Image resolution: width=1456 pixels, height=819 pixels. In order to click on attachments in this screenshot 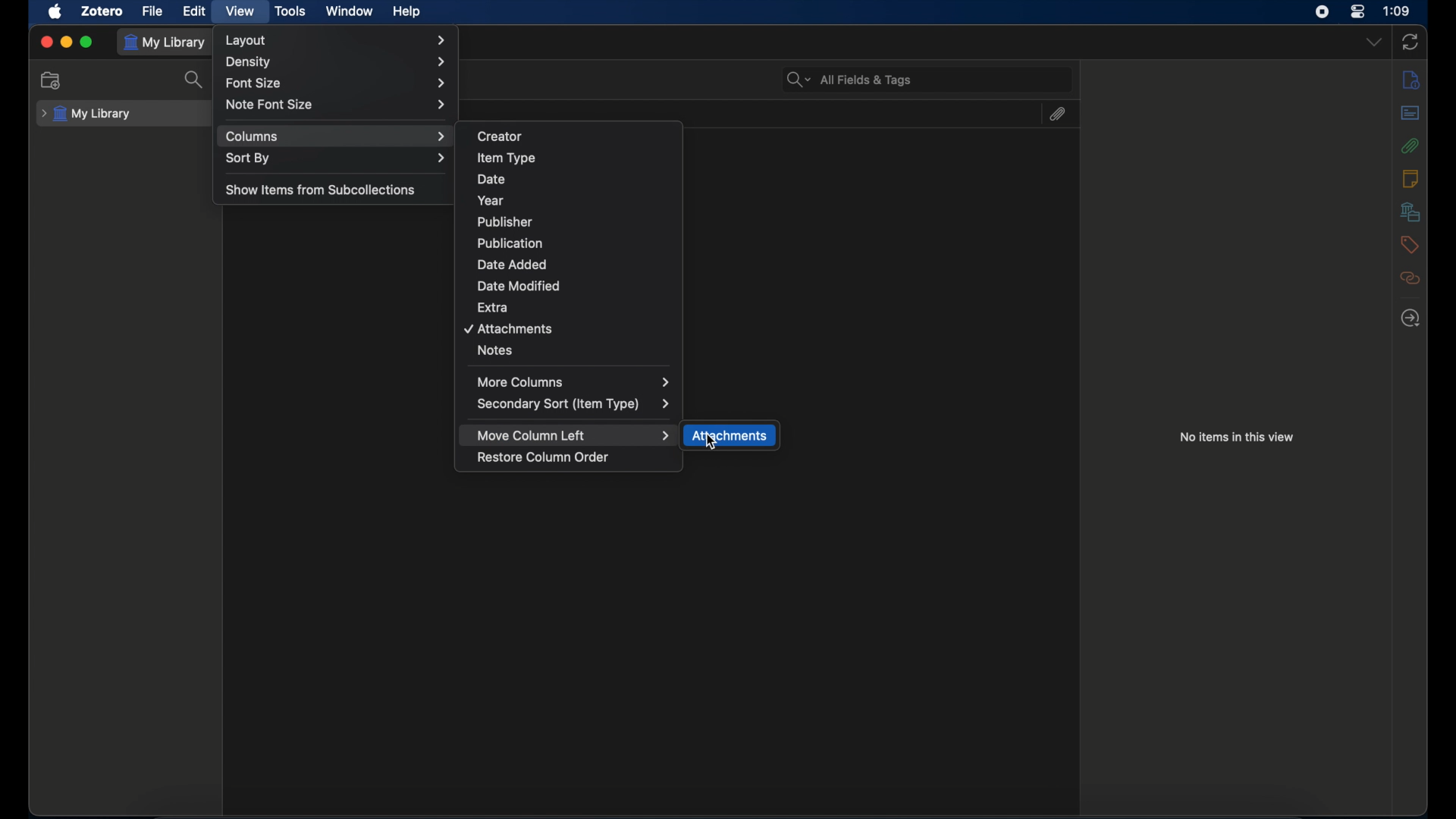, I will do `click(1056, 114)`.